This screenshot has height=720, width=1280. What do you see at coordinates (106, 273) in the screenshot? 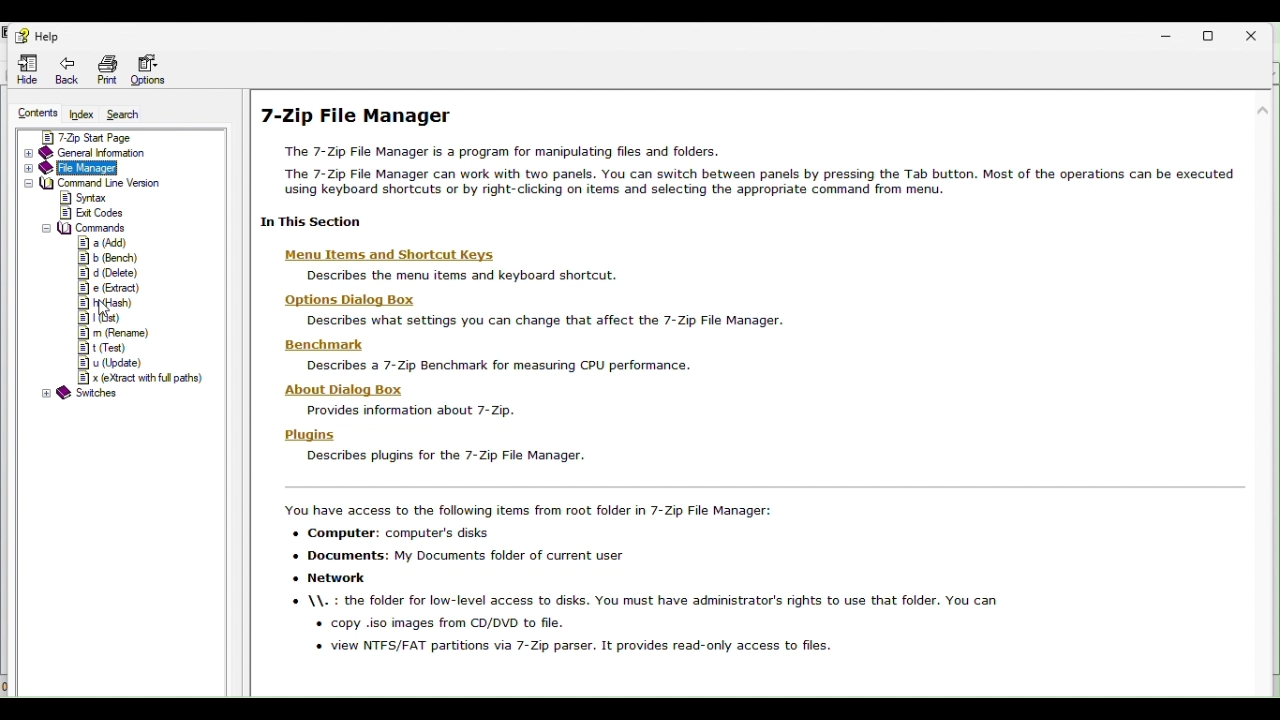
I see `d(delete)` at bounding box center [106, 273].